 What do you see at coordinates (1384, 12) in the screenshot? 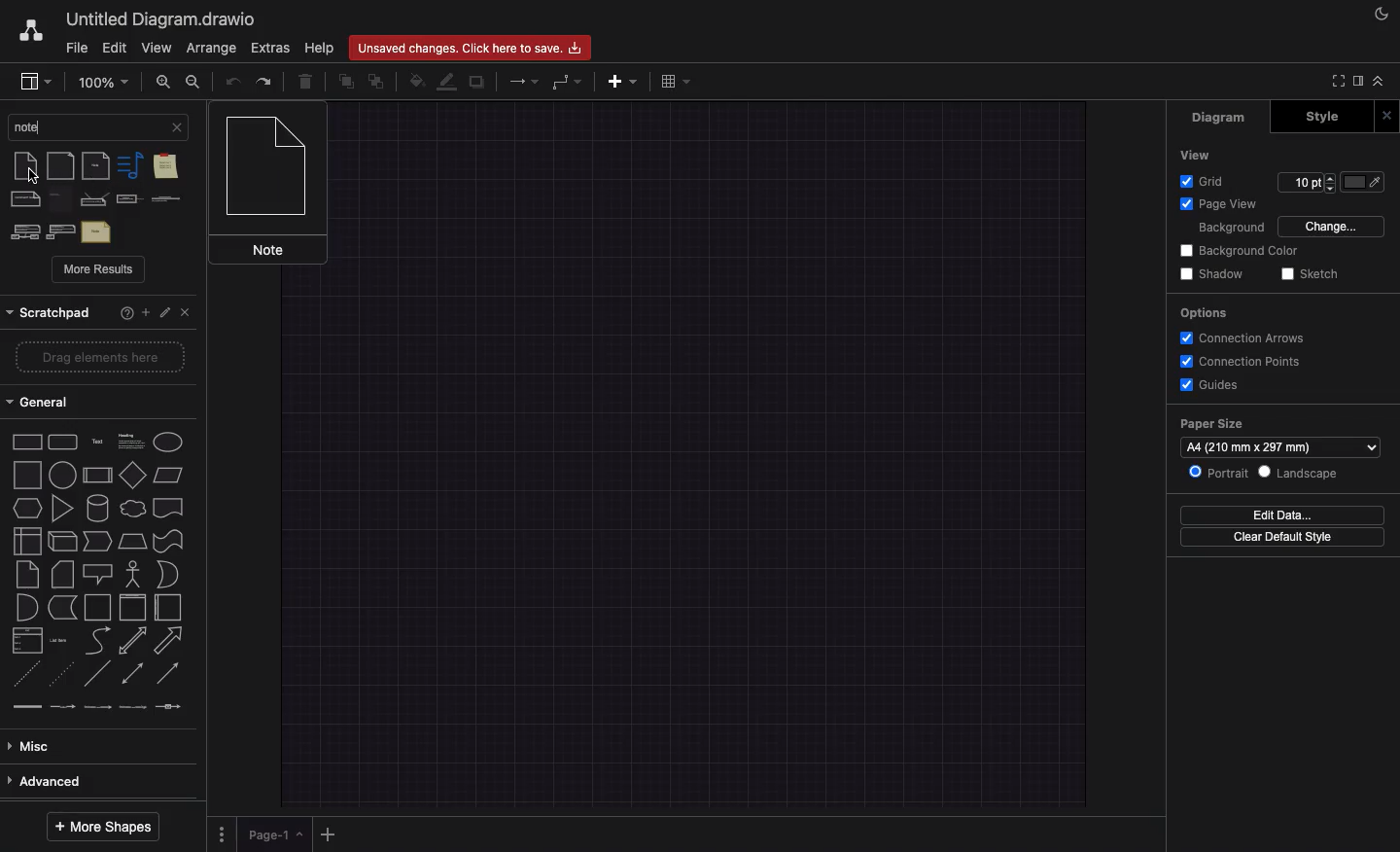
I see `Night mode` at bounding box center [1384, 12].